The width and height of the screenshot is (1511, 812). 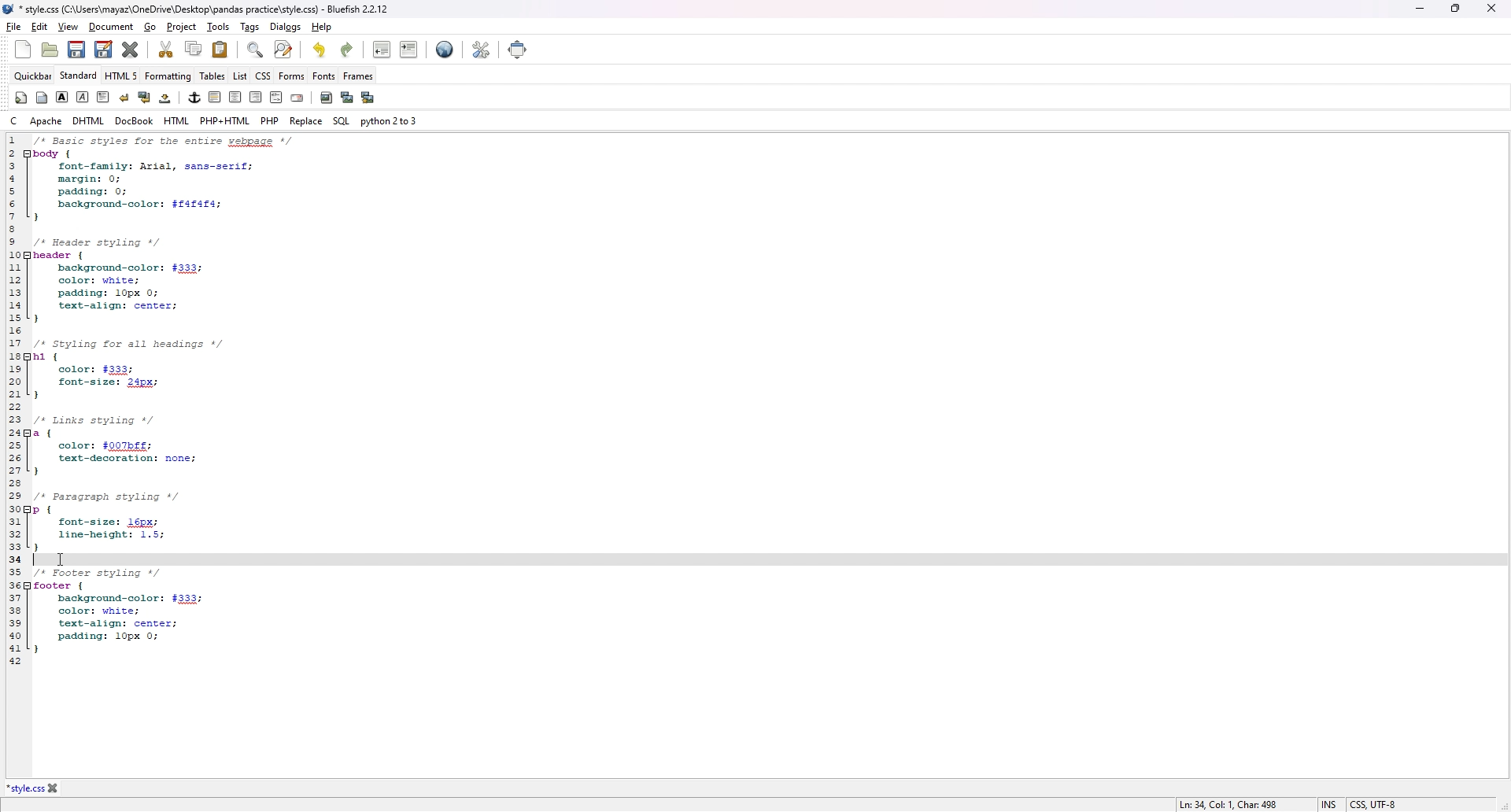 I want to click on standard, so click(x=79, y=76).